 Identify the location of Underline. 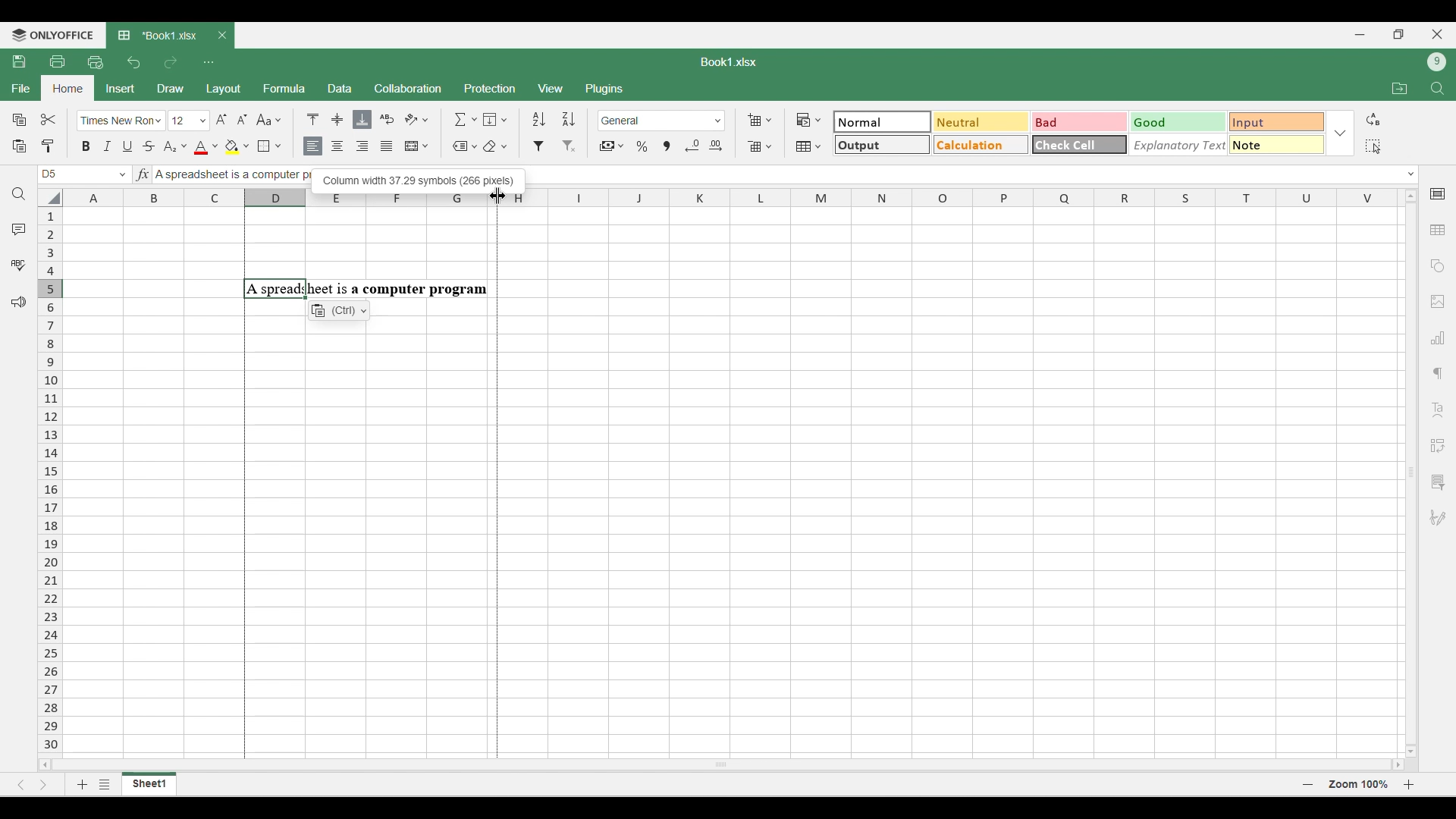
(127, 146).